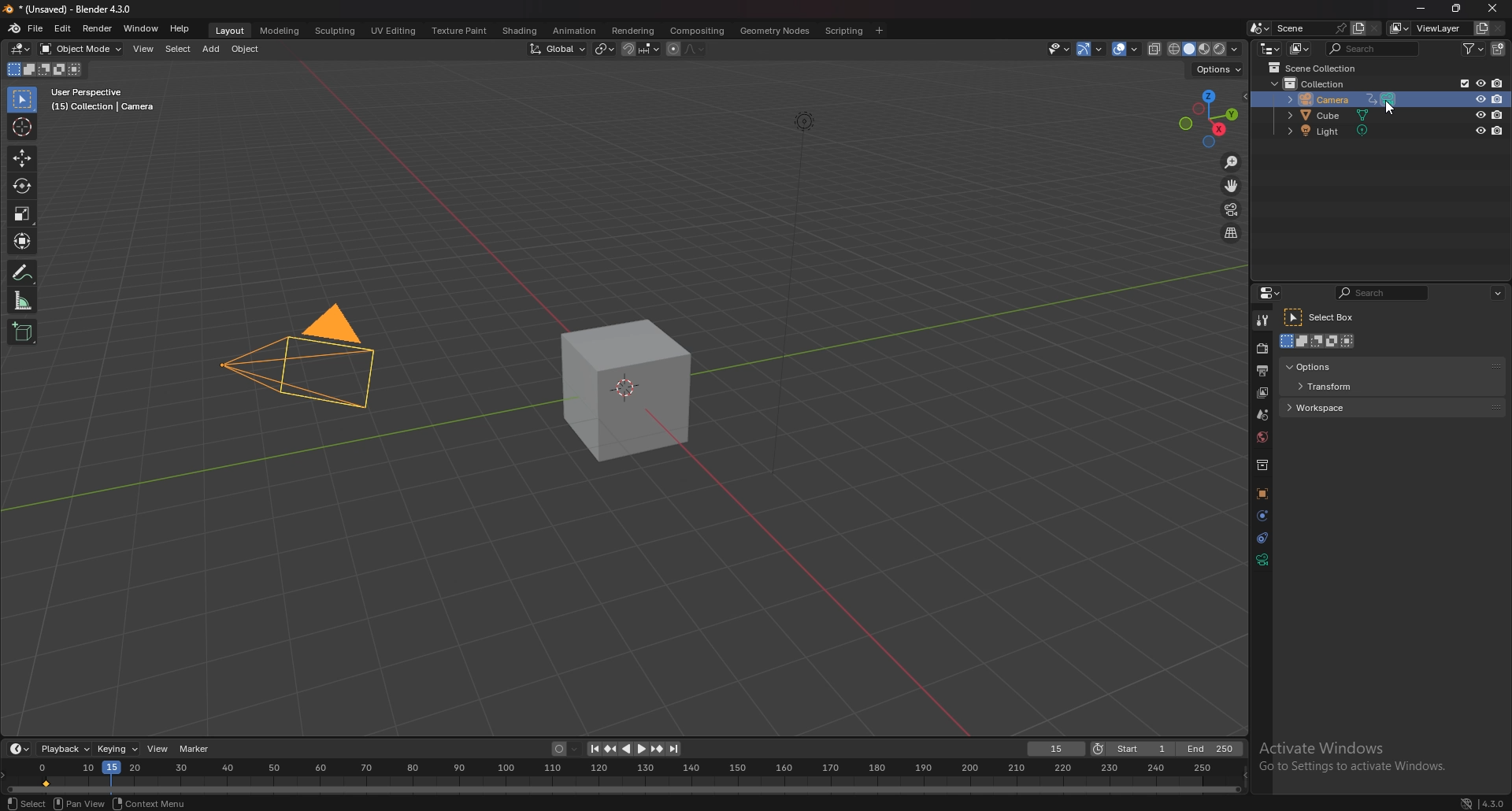 This screenshot has width=1512, height=811. I want to click on disable in renders, so click(1496, 132).